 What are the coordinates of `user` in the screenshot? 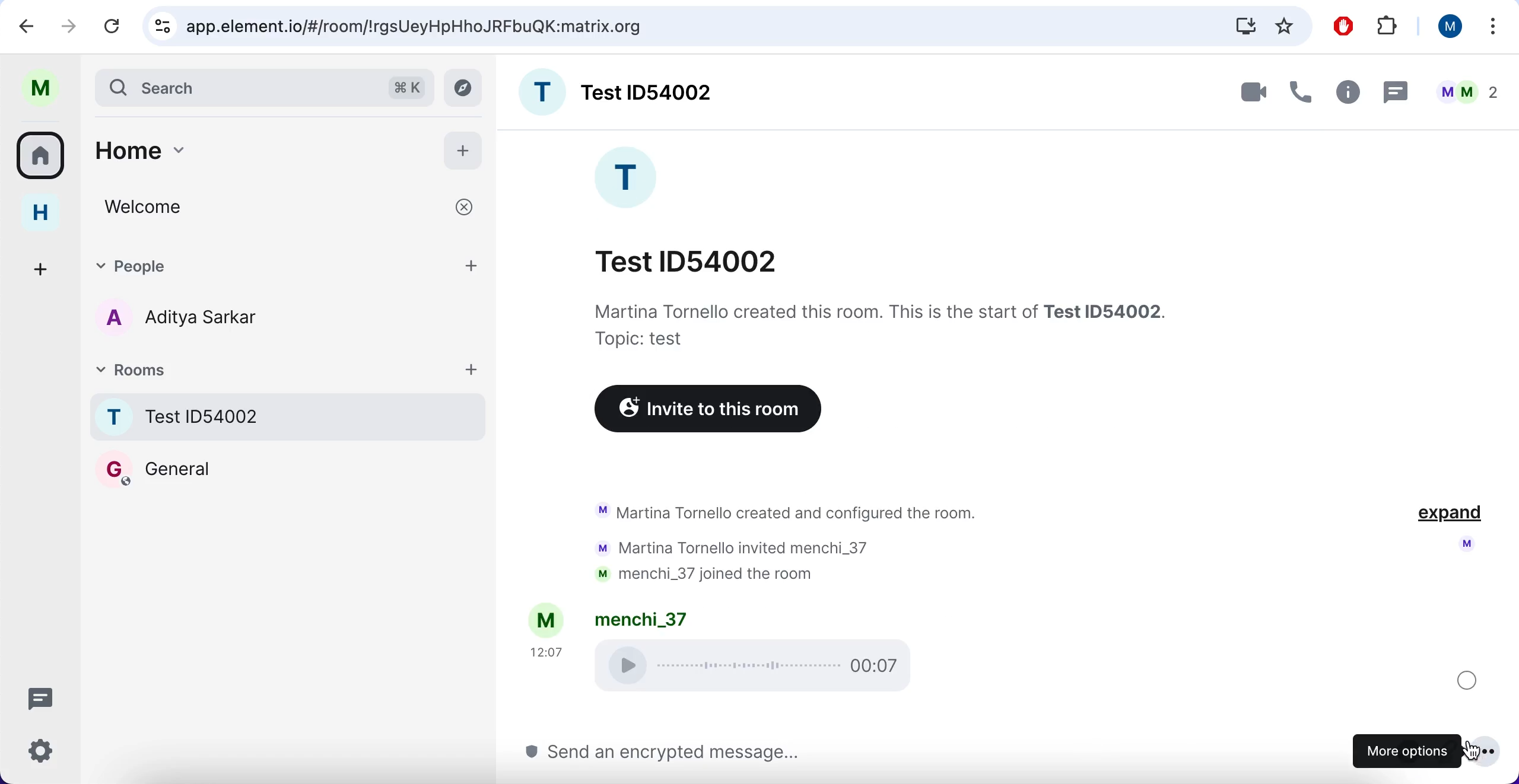 It's located at (547, 619).